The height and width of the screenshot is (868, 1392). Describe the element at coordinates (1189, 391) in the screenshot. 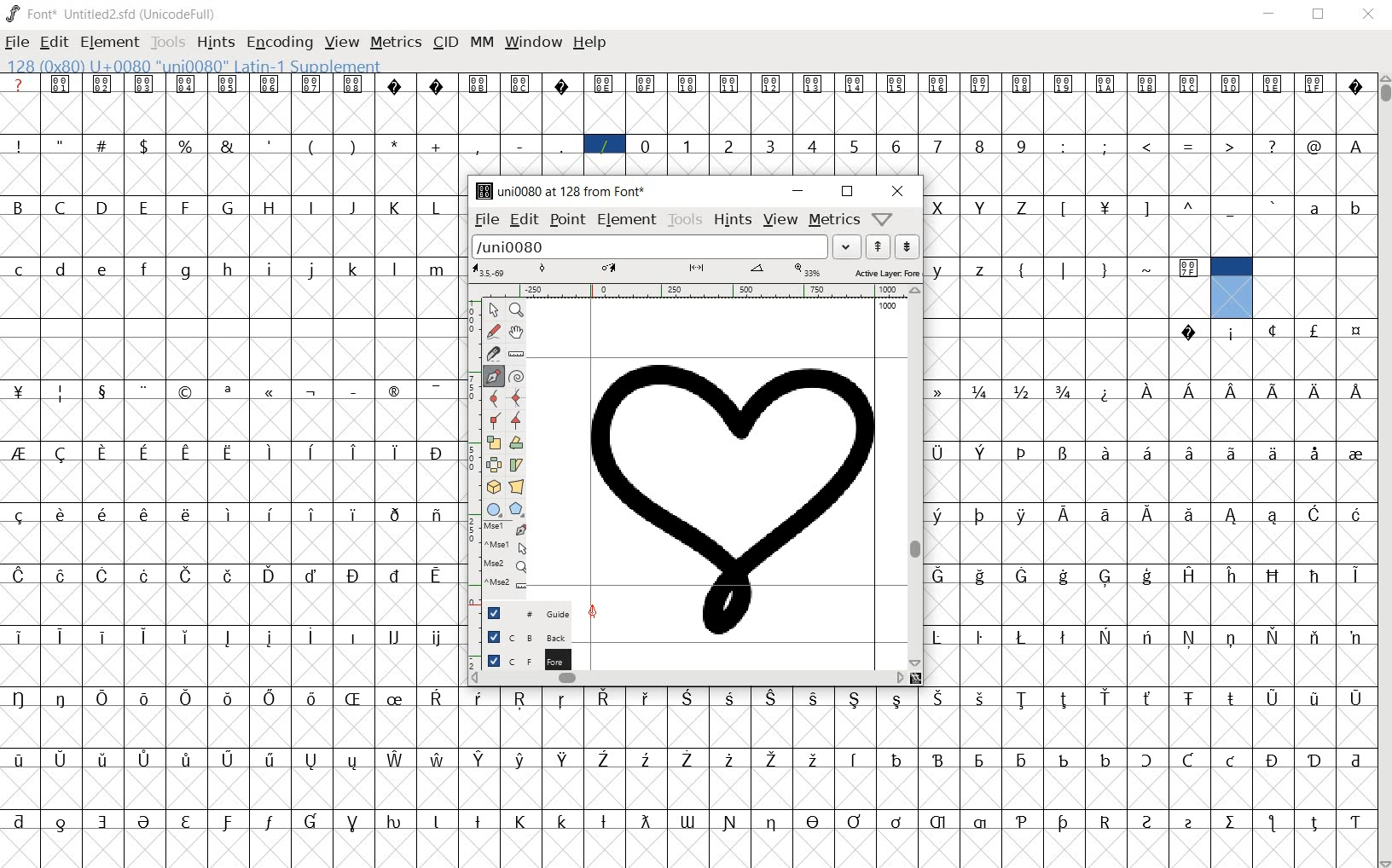

I see `glyph` at that location.